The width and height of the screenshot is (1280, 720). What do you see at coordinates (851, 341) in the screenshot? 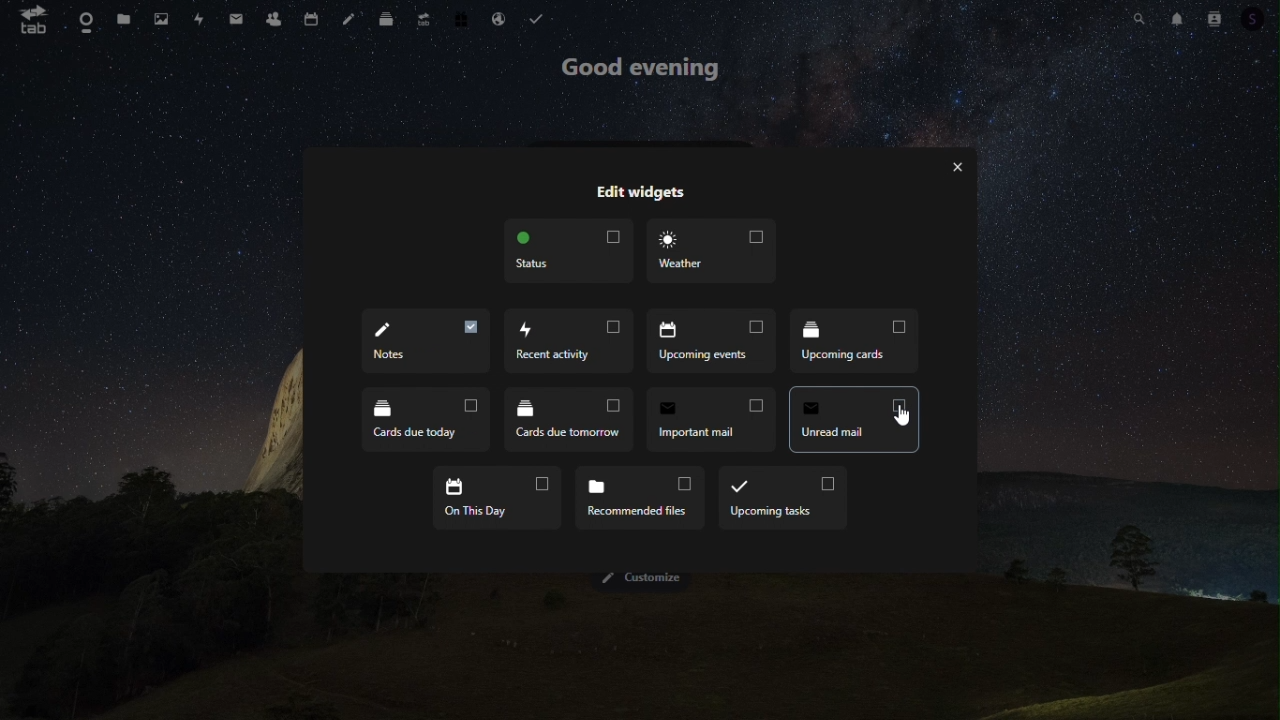
I see `Cards due today` at bounding box center [851, 341].